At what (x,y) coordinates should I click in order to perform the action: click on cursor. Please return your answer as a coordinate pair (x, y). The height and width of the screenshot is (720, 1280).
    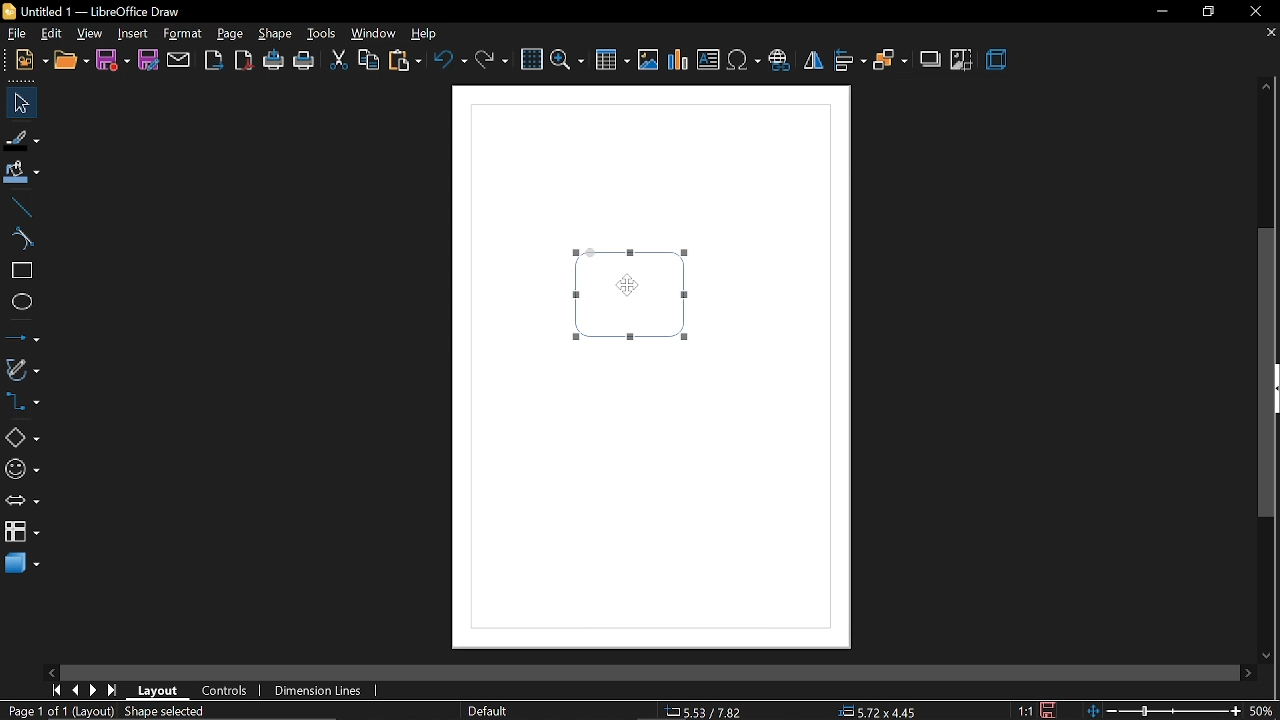
    Looking at the image, I should click on (627, 284).